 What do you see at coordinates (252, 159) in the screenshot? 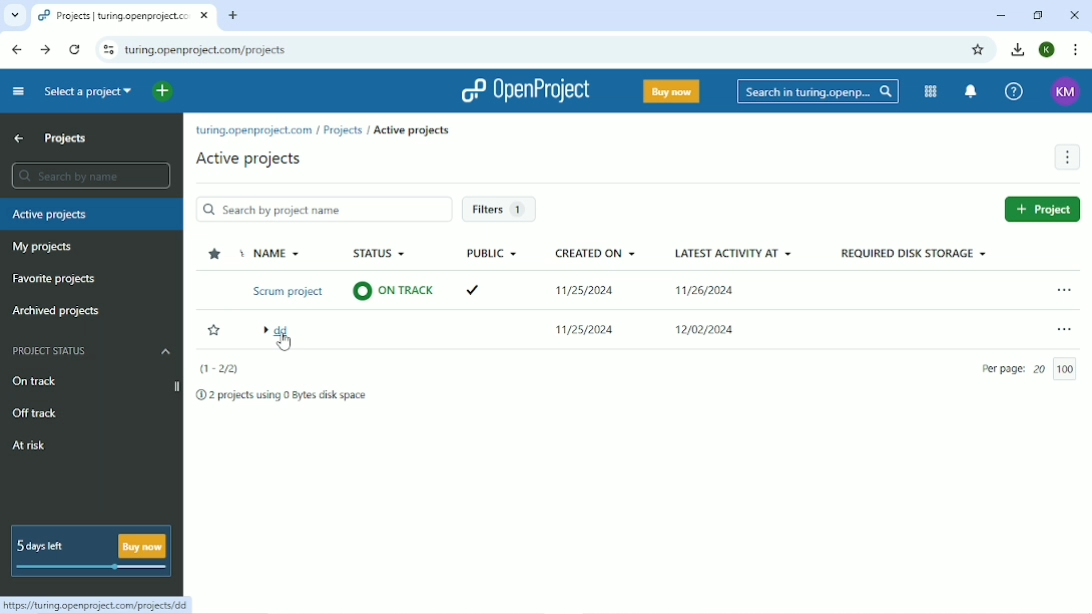
I see `Active projects` at bounding box center [252, 159].